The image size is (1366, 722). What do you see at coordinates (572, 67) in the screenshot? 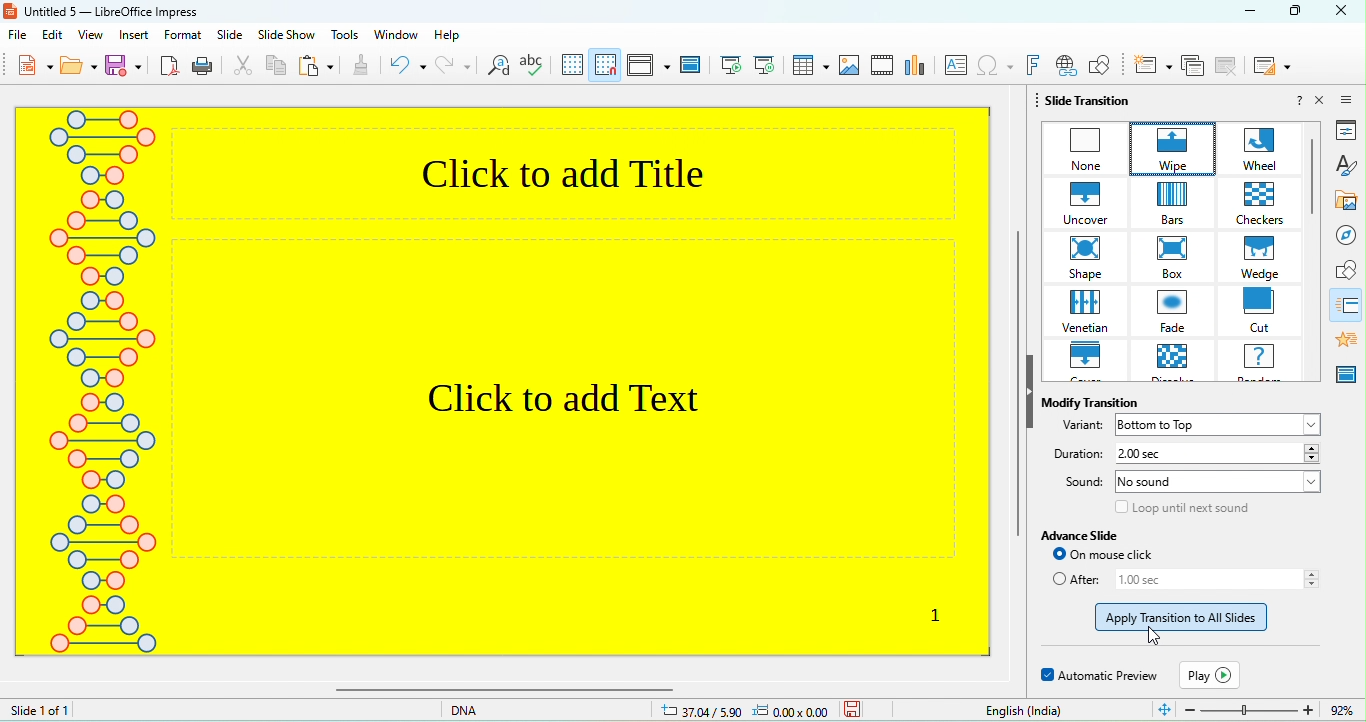
I see `display grid` at bounding box center [572, 67].